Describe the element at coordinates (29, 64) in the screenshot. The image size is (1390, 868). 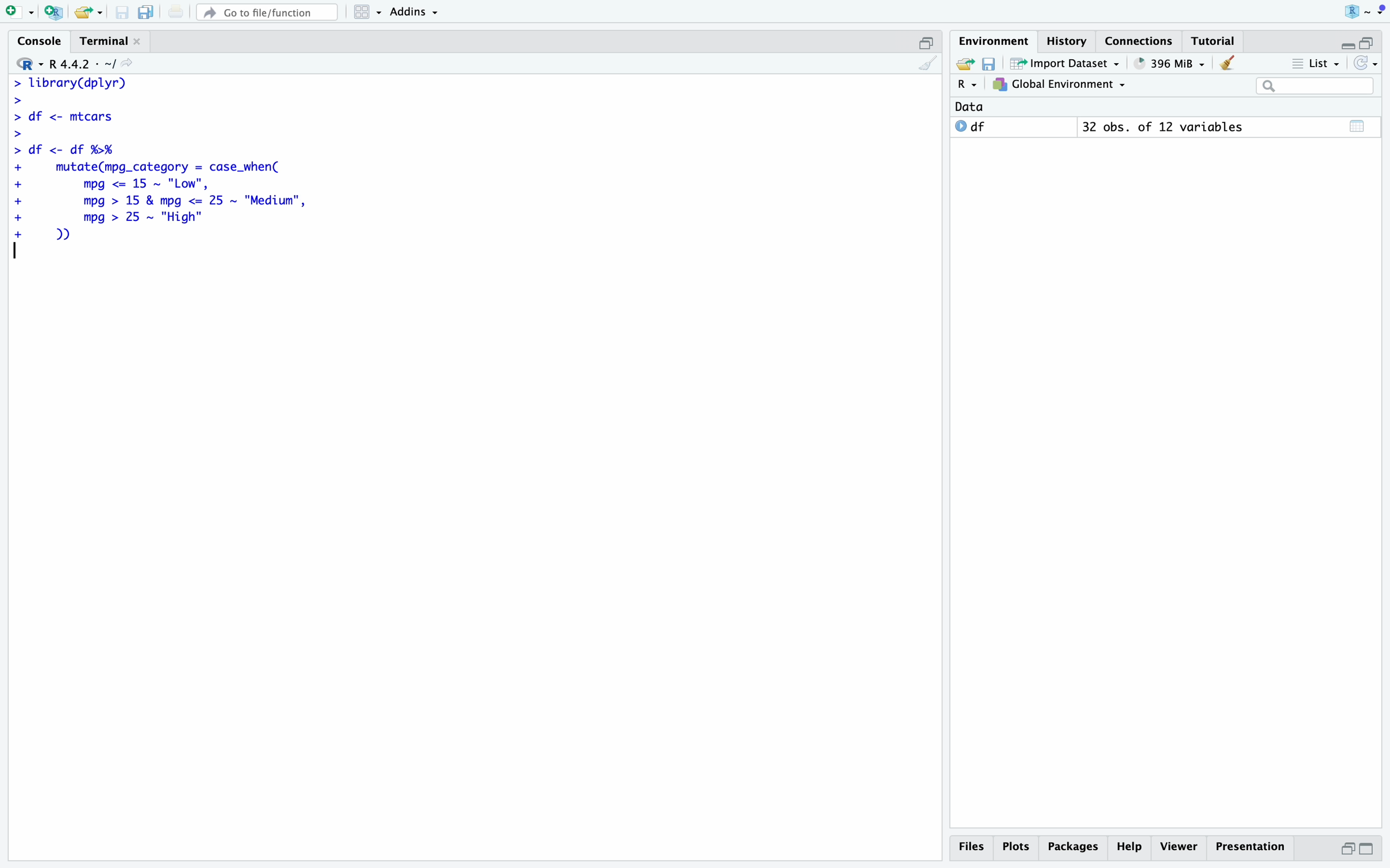
I see `R` at that location.